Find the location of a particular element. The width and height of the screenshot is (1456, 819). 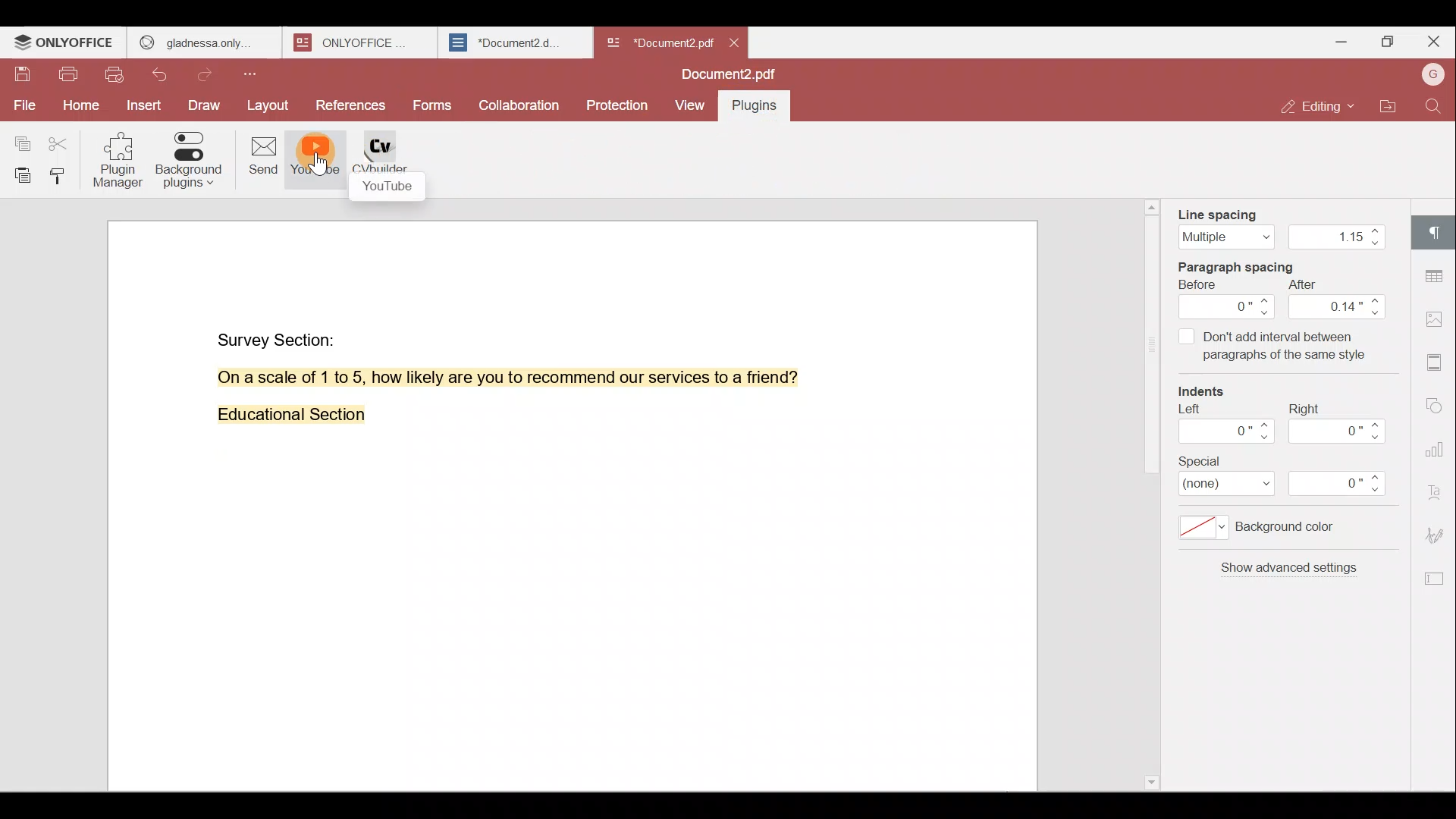

Educational Section is located at coordinates (285, 418).